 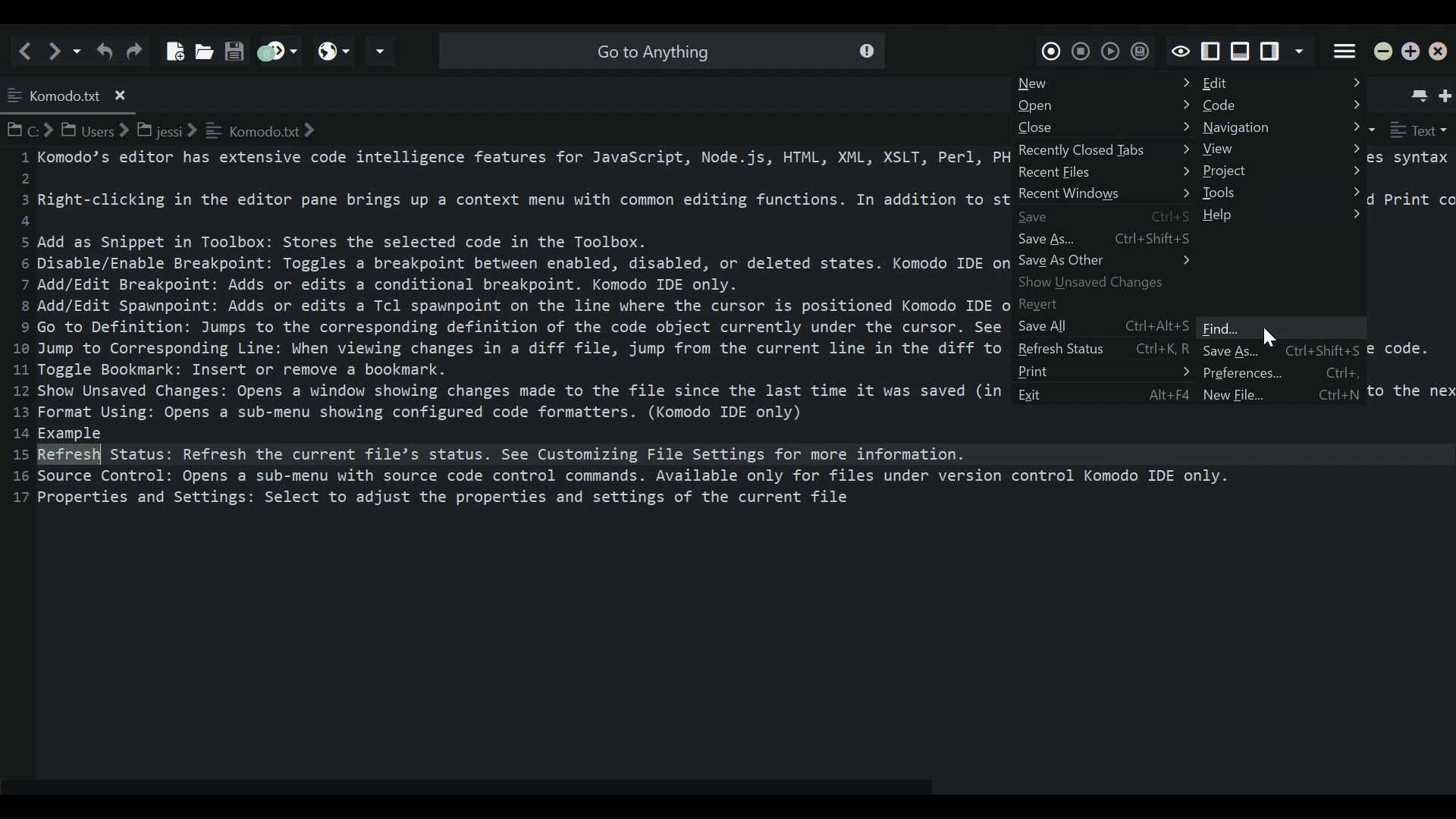 What do you see at coordinates (1272, 52) in the screenshot?
I see `Show/Hide Left Pane ` at bounding box center [1272, 52].